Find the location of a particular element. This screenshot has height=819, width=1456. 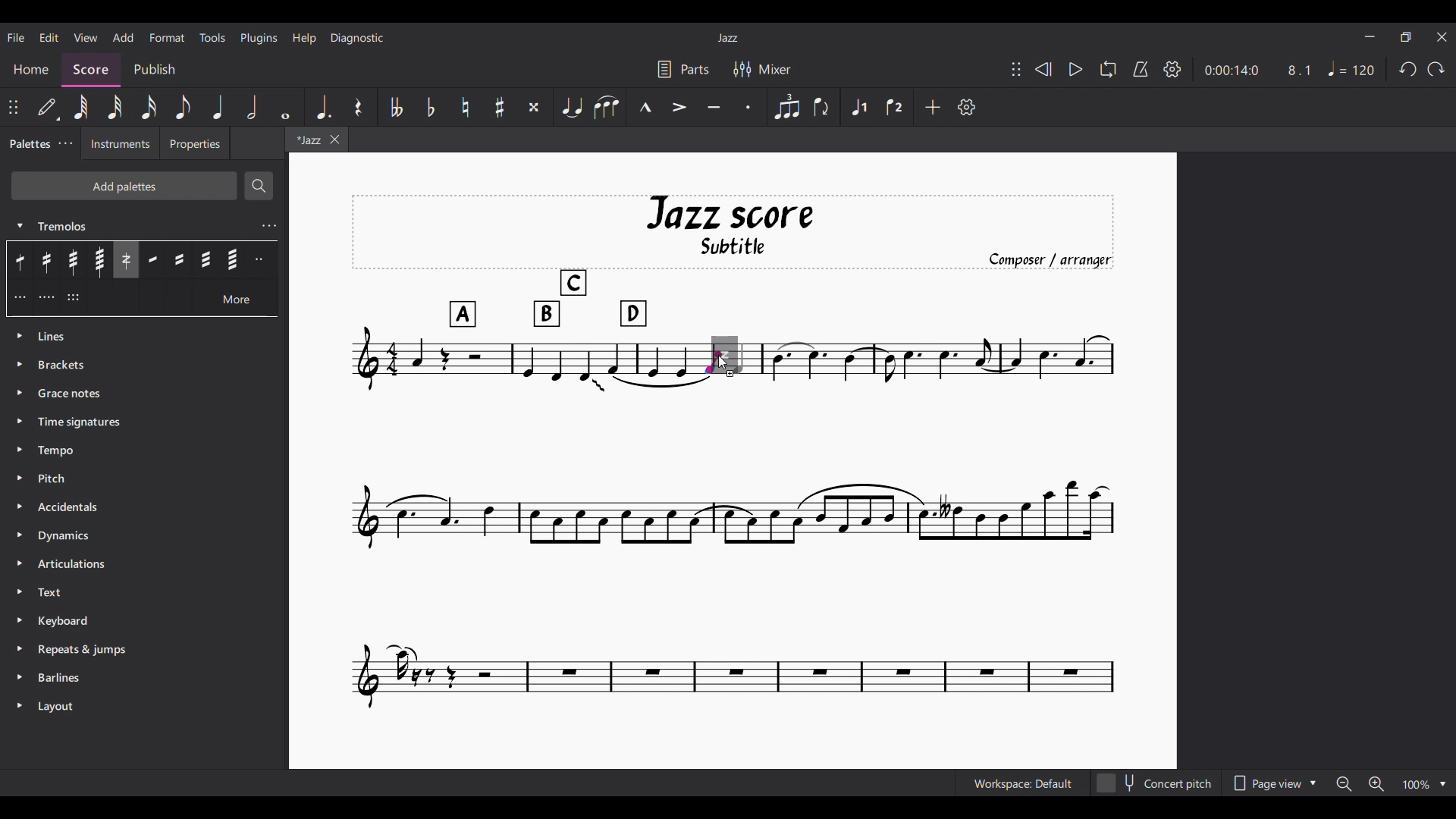

Home is located at coordinates (30, 70).